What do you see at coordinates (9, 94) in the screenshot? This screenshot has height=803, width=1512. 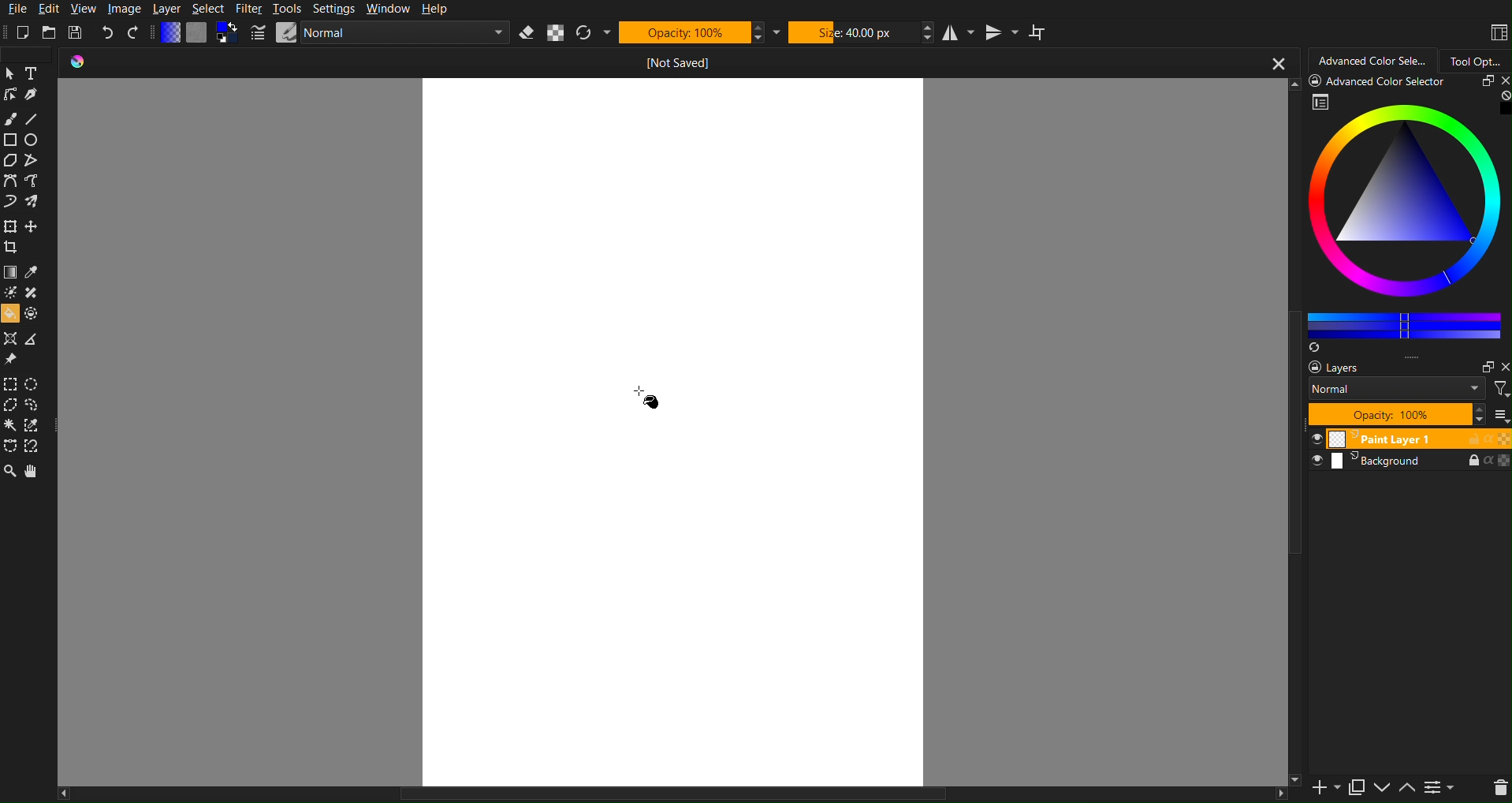 I see `Linework` at bounding box center [9, 94].